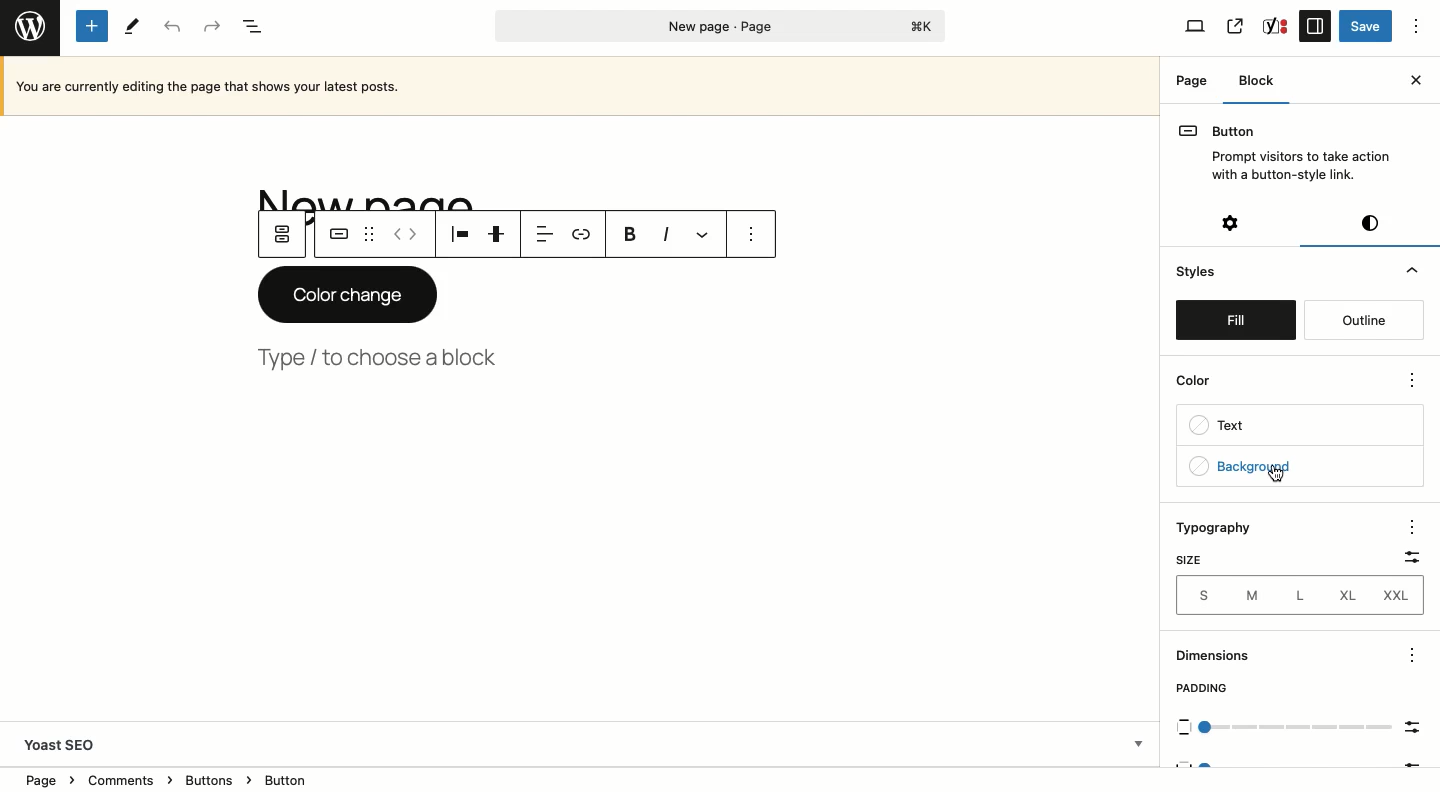 Image resolution: width=1440 pixels, height=792 pixels. Describe the element at coordinates (1247, 594) in the screenshot. I see `M` at that location.